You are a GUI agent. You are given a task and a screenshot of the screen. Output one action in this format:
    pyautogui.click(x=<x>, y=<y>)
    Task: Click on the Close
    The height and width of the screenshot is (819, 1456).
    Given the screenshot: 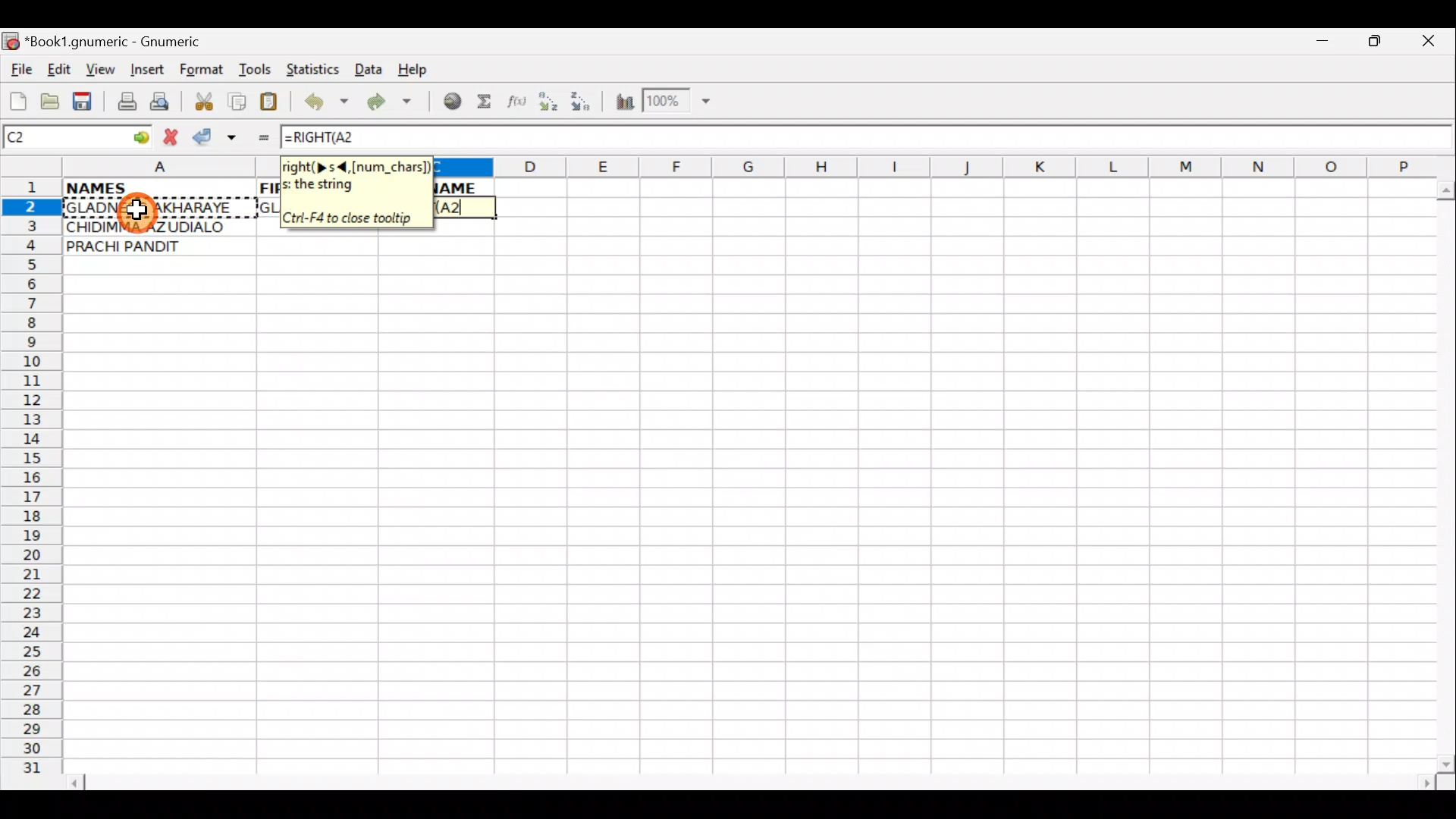 What is the action you would take?
    pyautogui.click(x=1432, y=45)
    